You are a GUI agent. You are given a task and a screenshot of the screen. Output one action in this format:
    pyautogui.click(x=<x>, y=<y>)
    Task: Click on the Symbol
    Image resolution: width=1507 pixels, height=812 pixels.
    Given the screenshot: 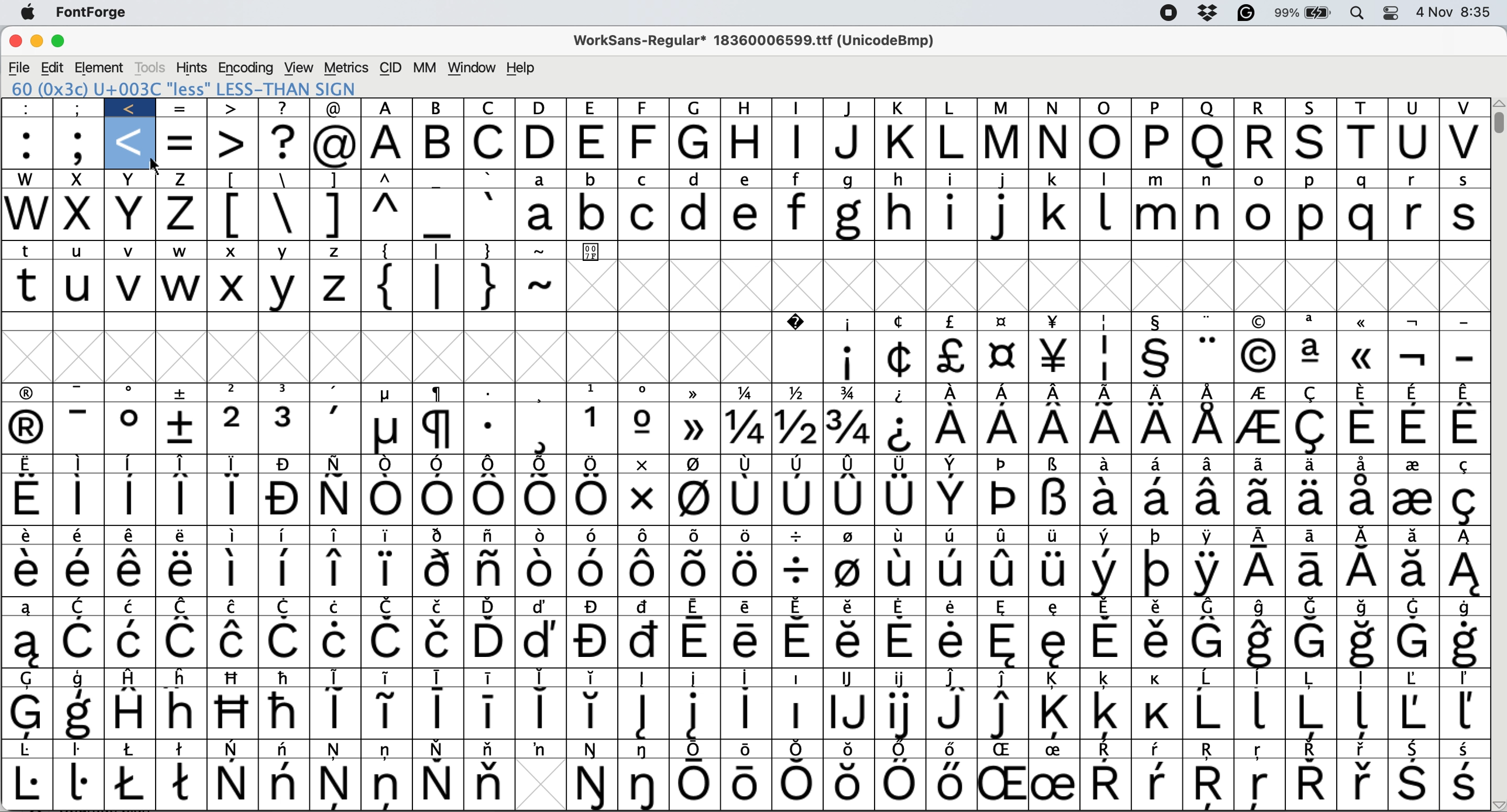 What is the action you would take?
    pyautogui.click(x=1364, y=572)
    